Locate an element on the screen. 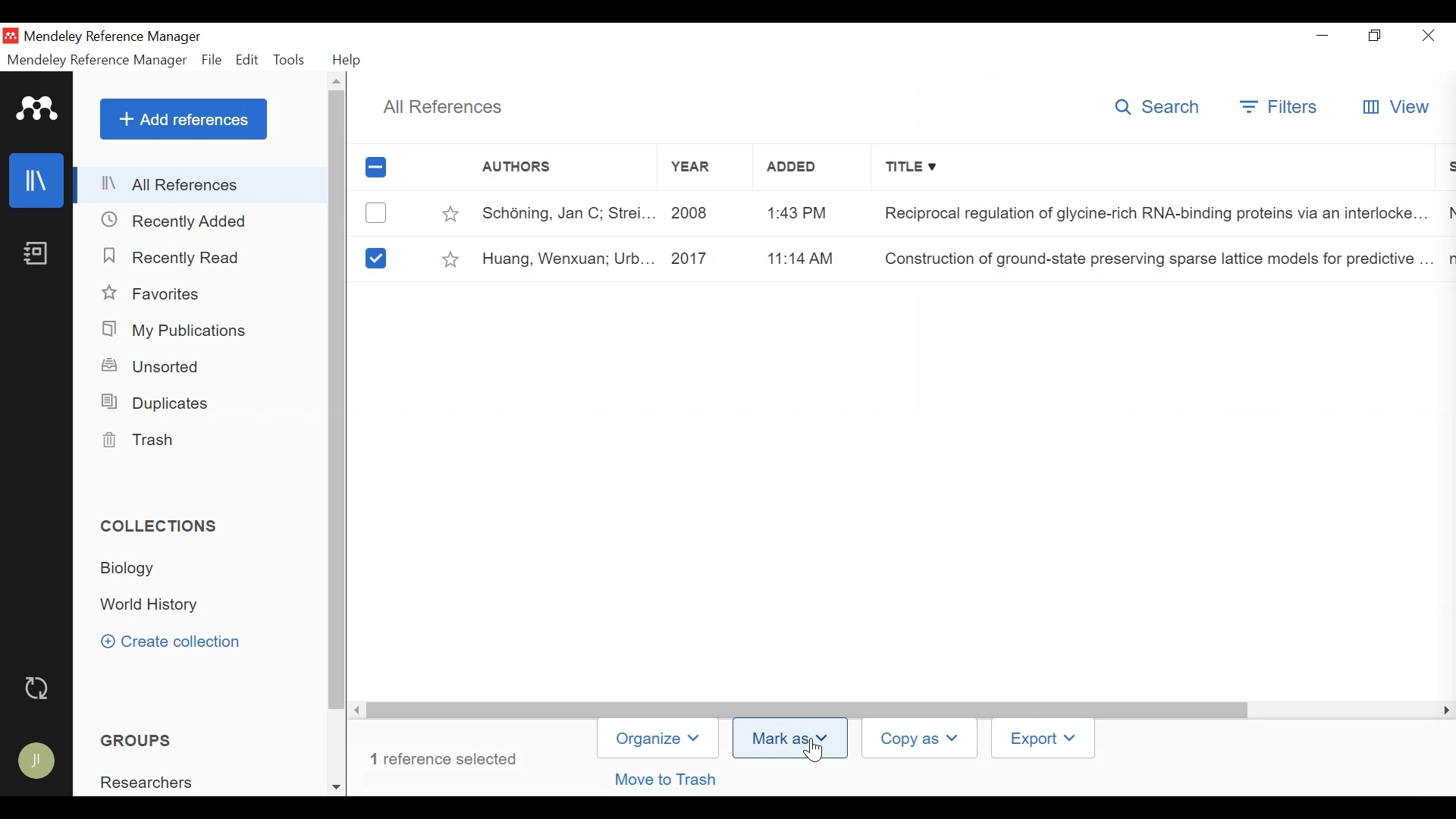 The image size is (1456, 819). Mendeley Reference Manager is located at coordinates (96, 61).